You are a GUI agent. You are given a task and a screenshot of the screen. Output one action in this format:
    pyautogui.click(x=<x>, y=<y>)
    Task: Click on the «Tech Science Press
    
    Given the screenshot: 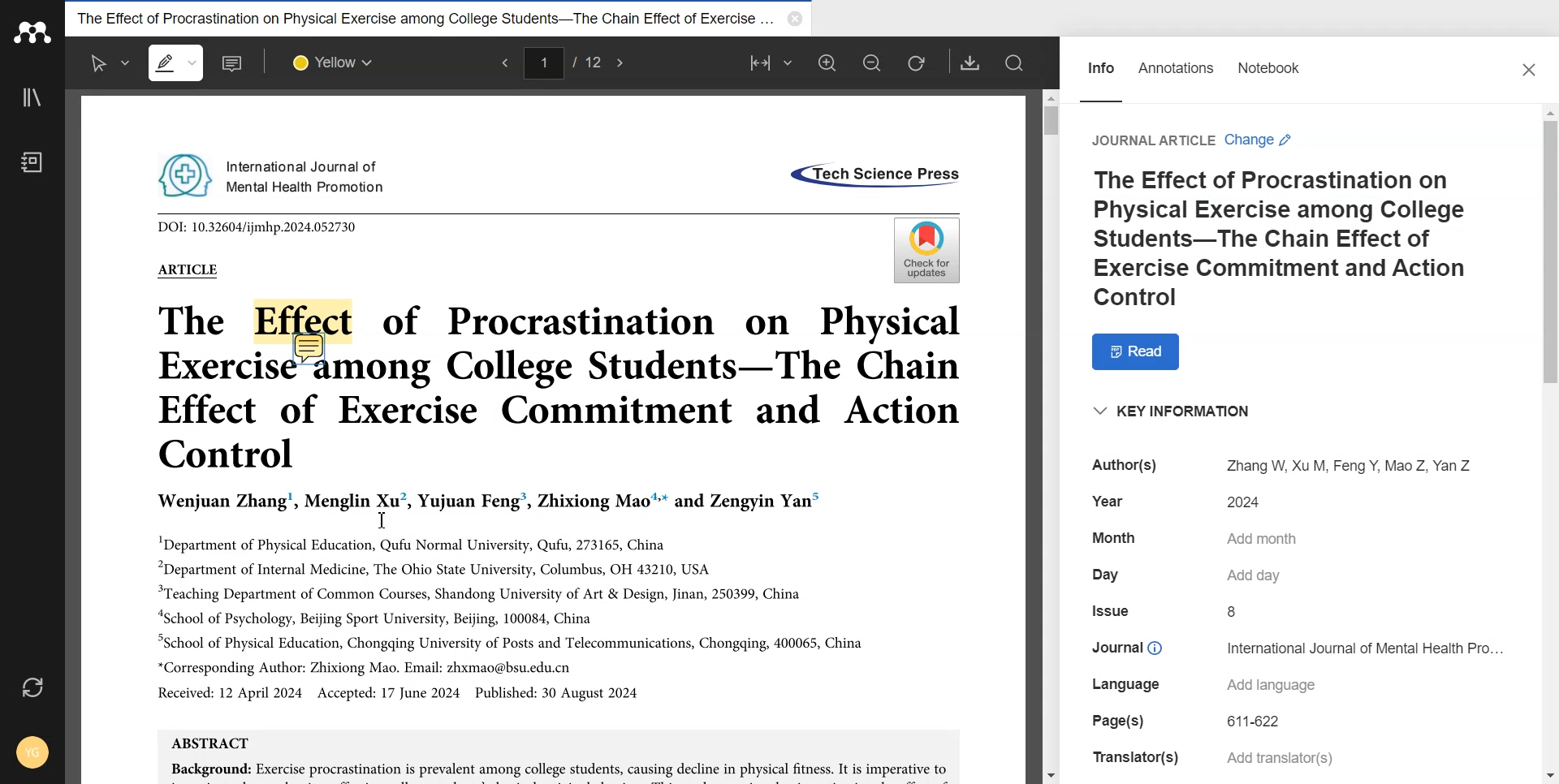 What is the action you would take?
    pyautogui.click(x=873, y=176)
    